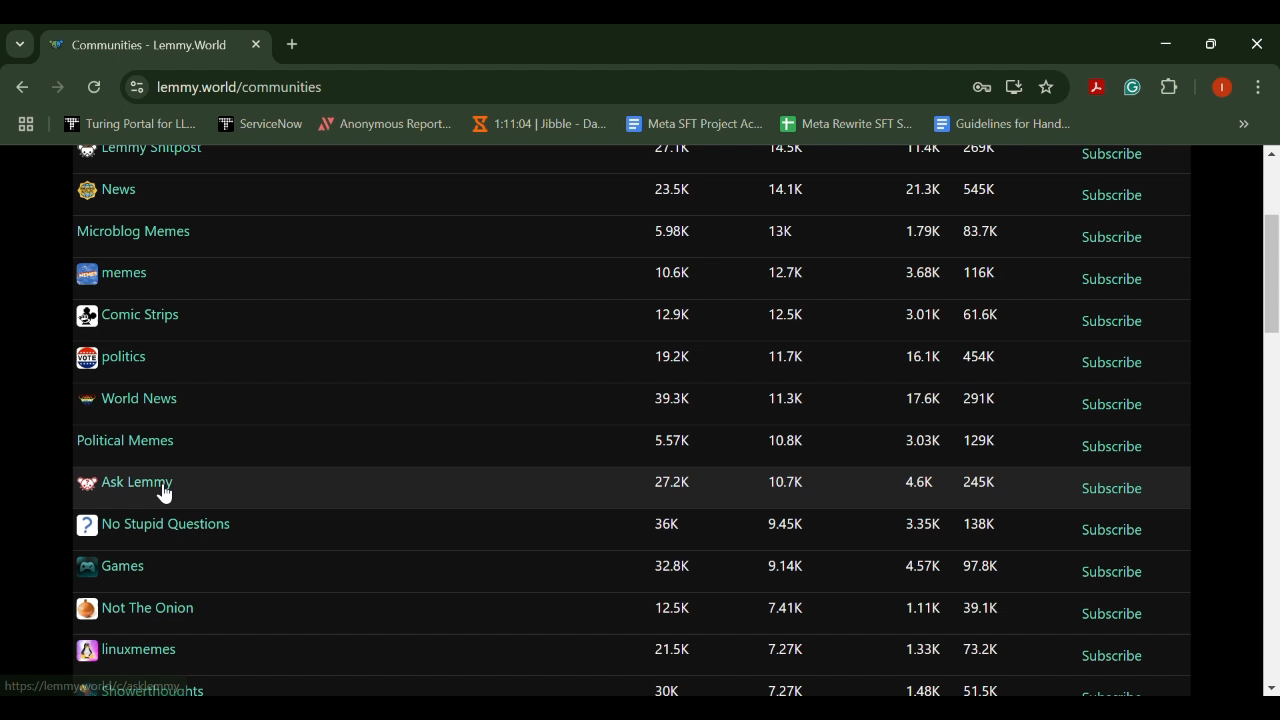  I want to click on Subscribe, so click(1111, 447).